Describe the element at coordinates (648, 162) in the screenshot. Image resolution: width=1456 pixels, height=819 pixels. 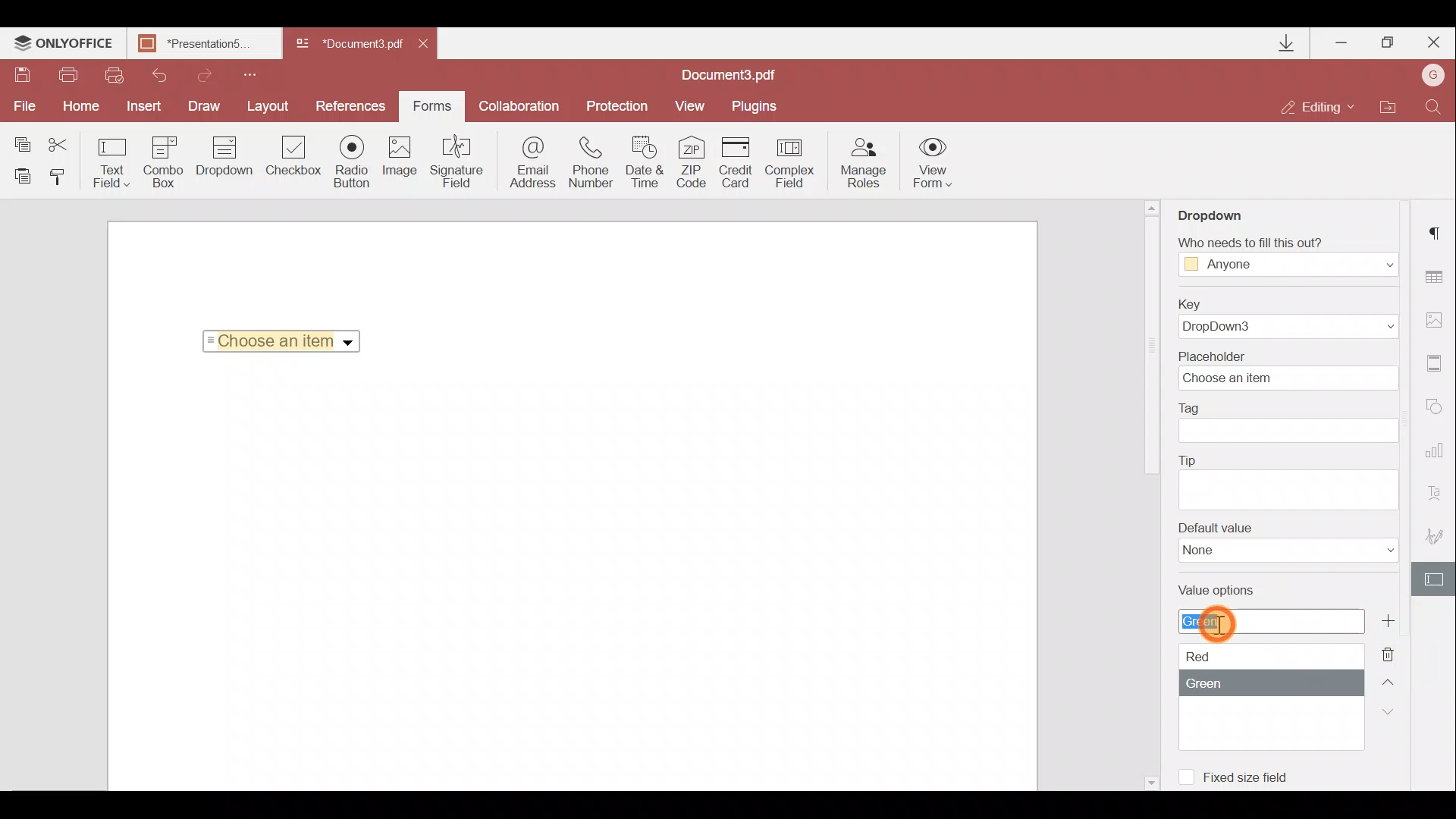
I see `Date & time` at that location.